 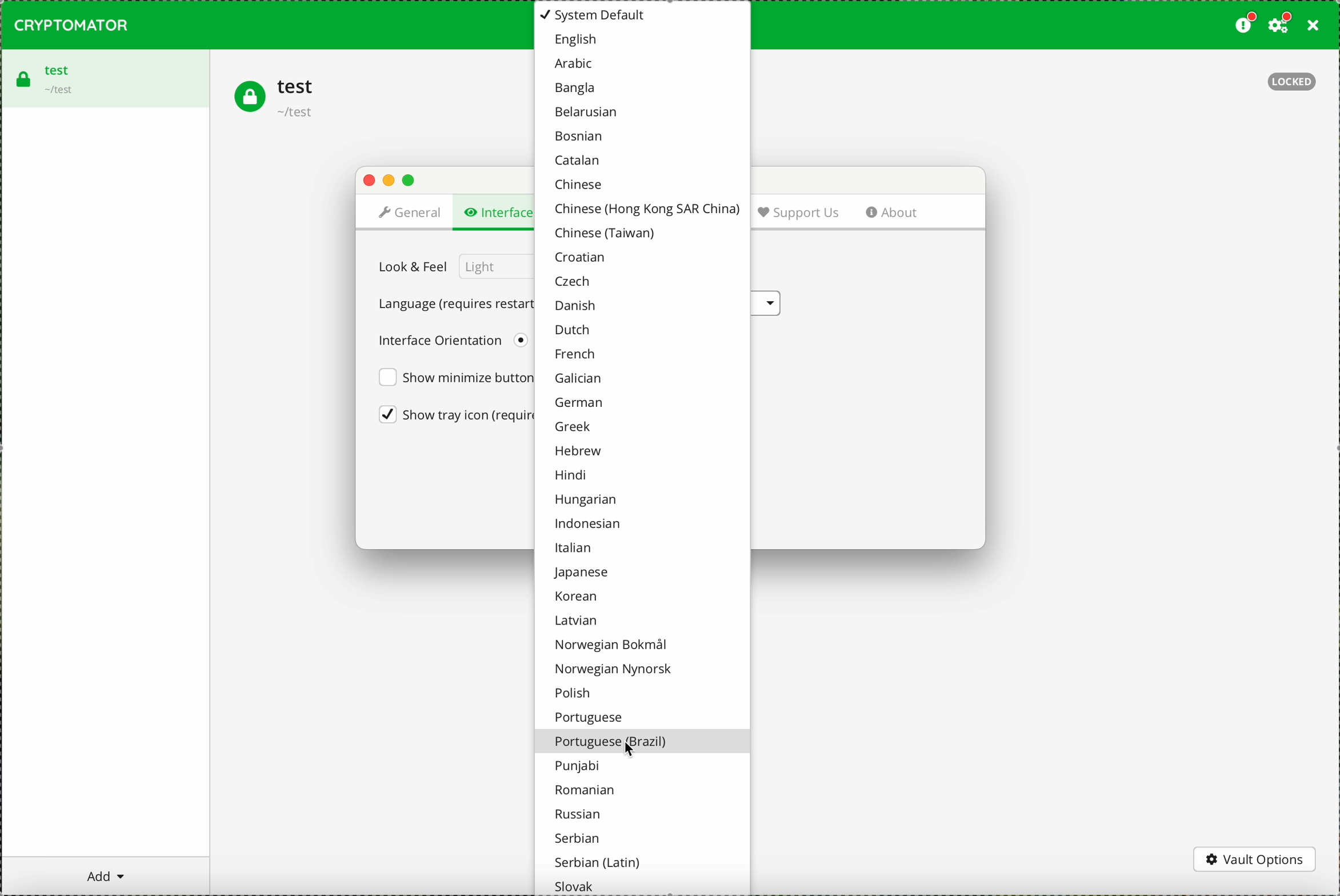 I want to click on latvian, so click(x=578, y=620).